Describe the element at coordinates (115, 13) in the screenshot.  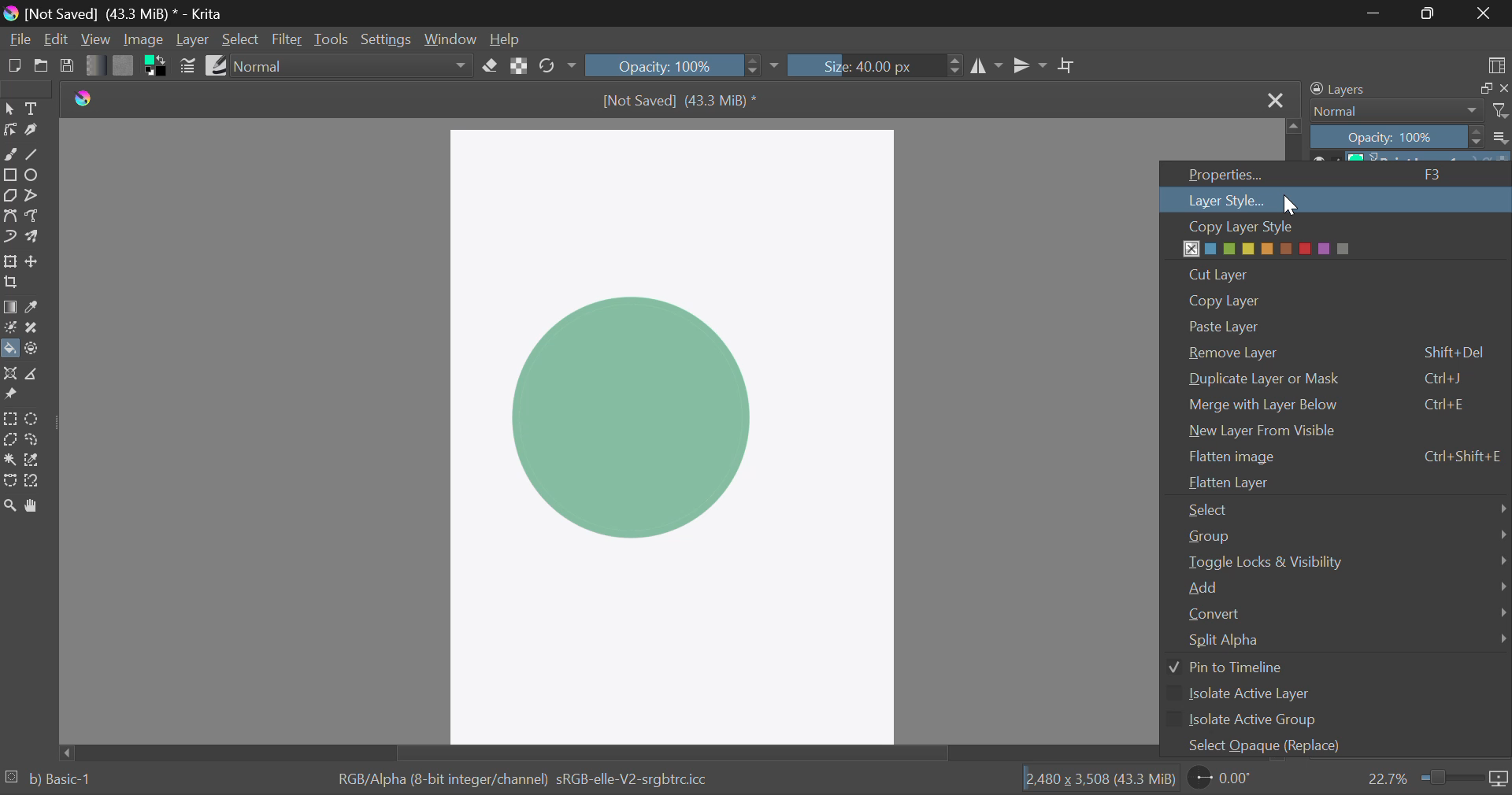
I see `Window Title` at that location.